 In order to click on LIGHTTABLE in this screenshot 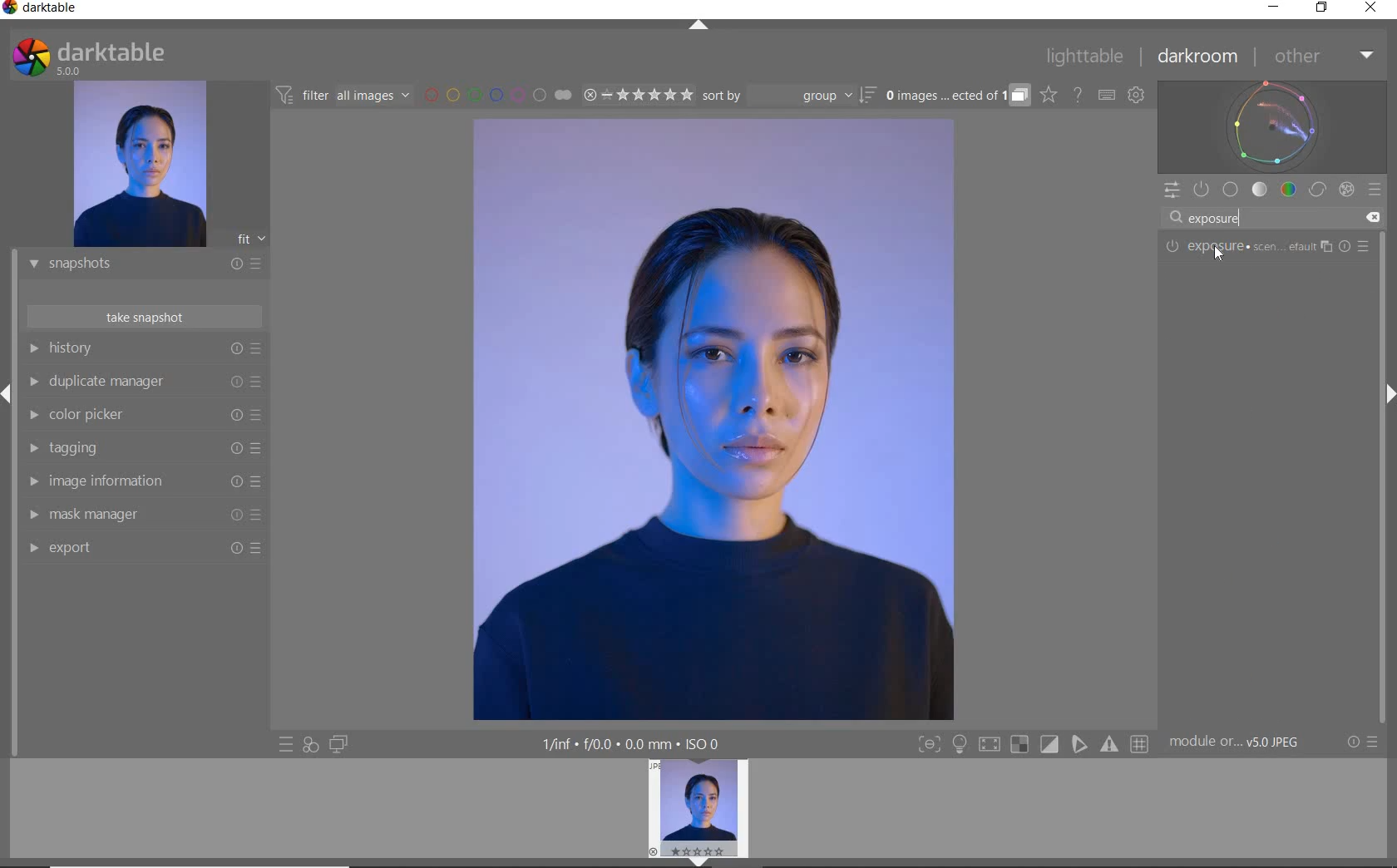, I will do `click(1085, 59)`.